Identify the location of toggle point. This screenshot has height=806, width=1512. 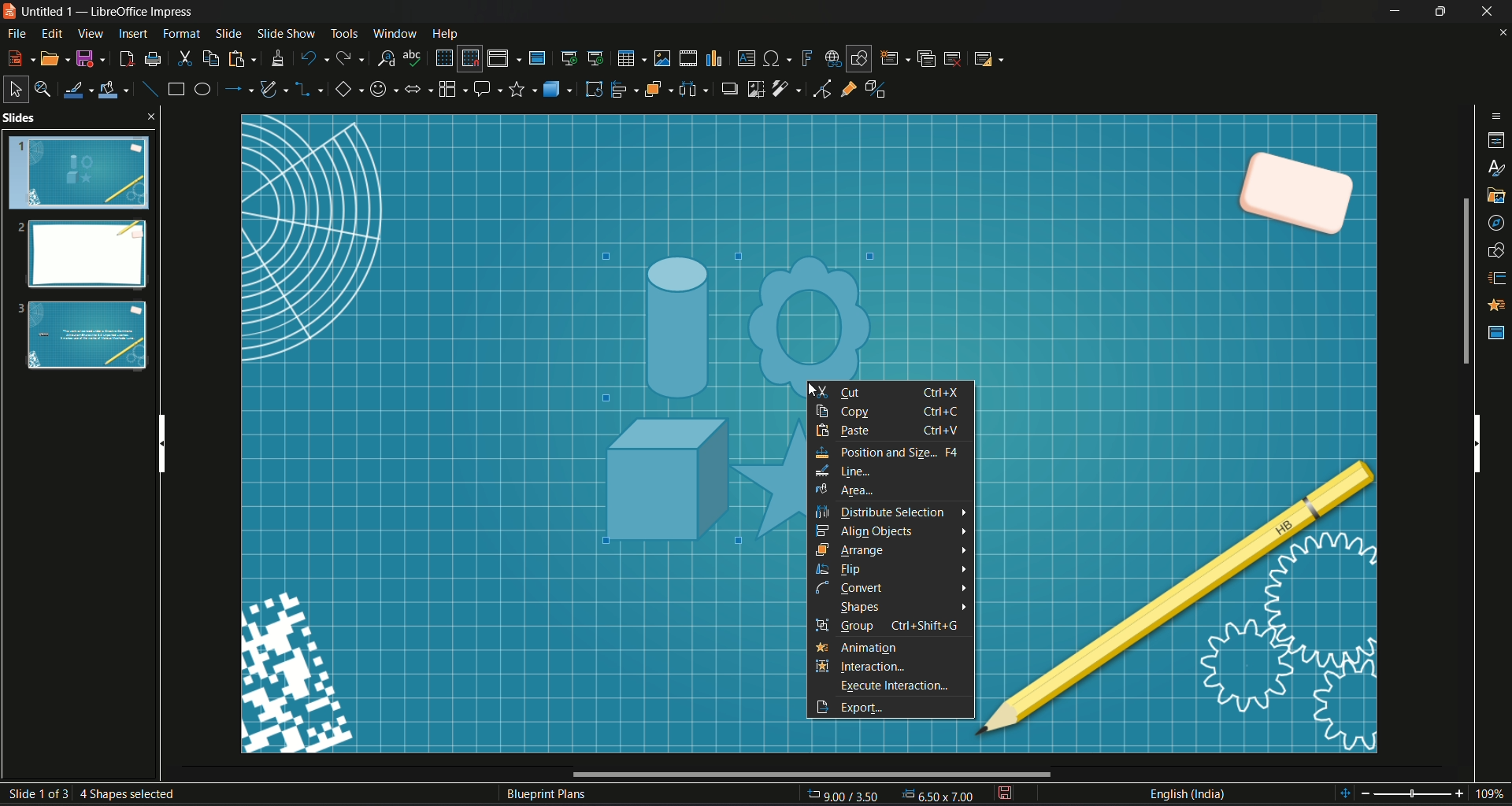
(820, 91).